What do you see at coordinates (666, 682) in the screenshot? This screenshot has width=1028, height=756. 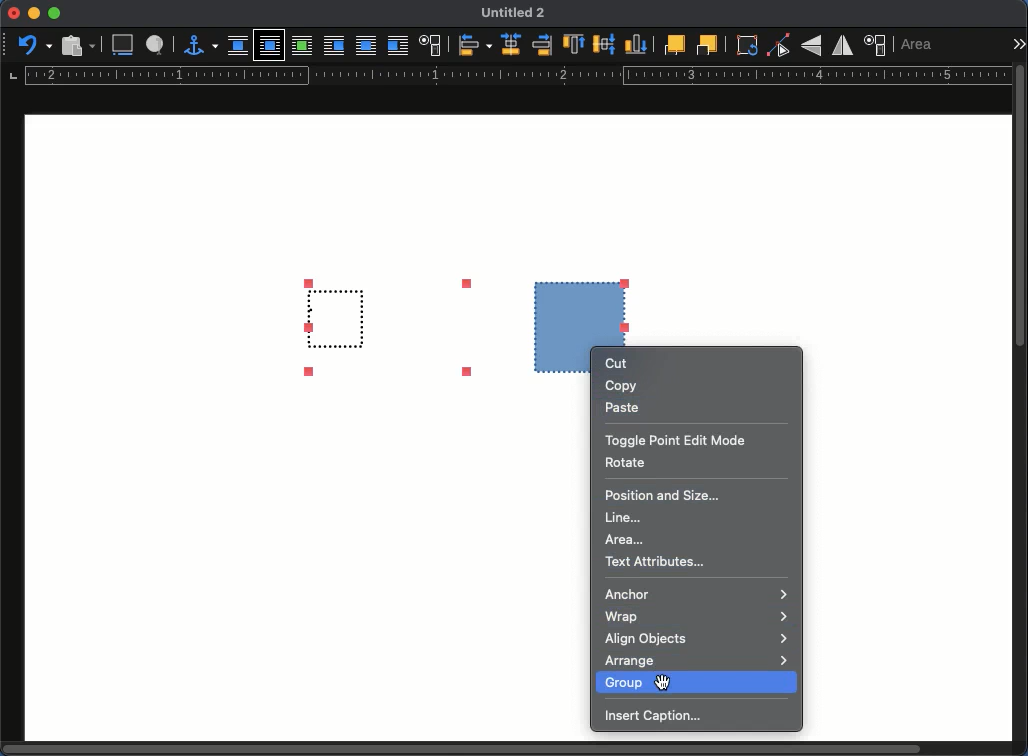 I see `Cursor` at bounding box center [666, 682].